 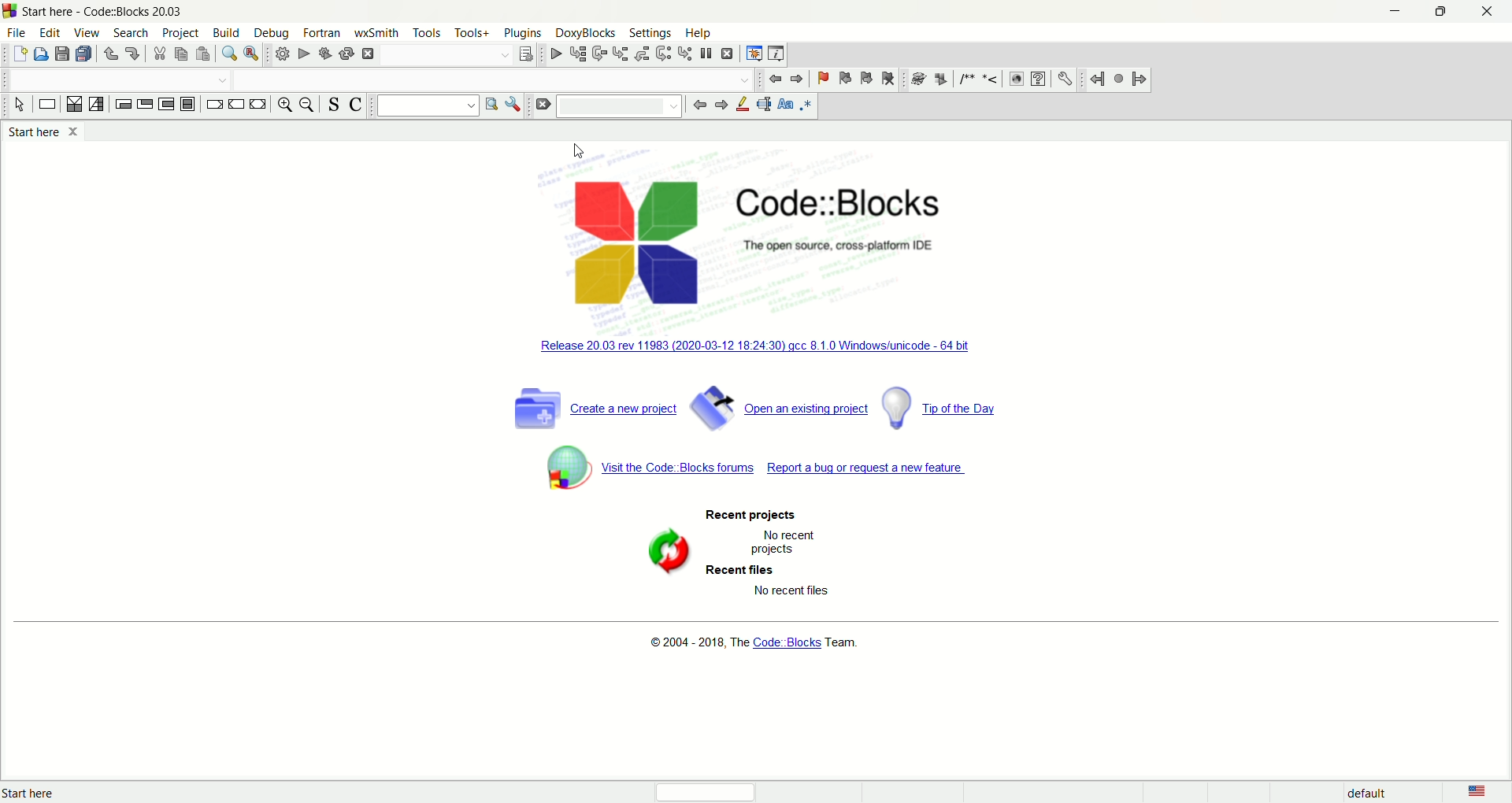 What do you see at coordinates (1097, 80) in the screenshot?
I see `jump back` at bounding box center [1097, 80].